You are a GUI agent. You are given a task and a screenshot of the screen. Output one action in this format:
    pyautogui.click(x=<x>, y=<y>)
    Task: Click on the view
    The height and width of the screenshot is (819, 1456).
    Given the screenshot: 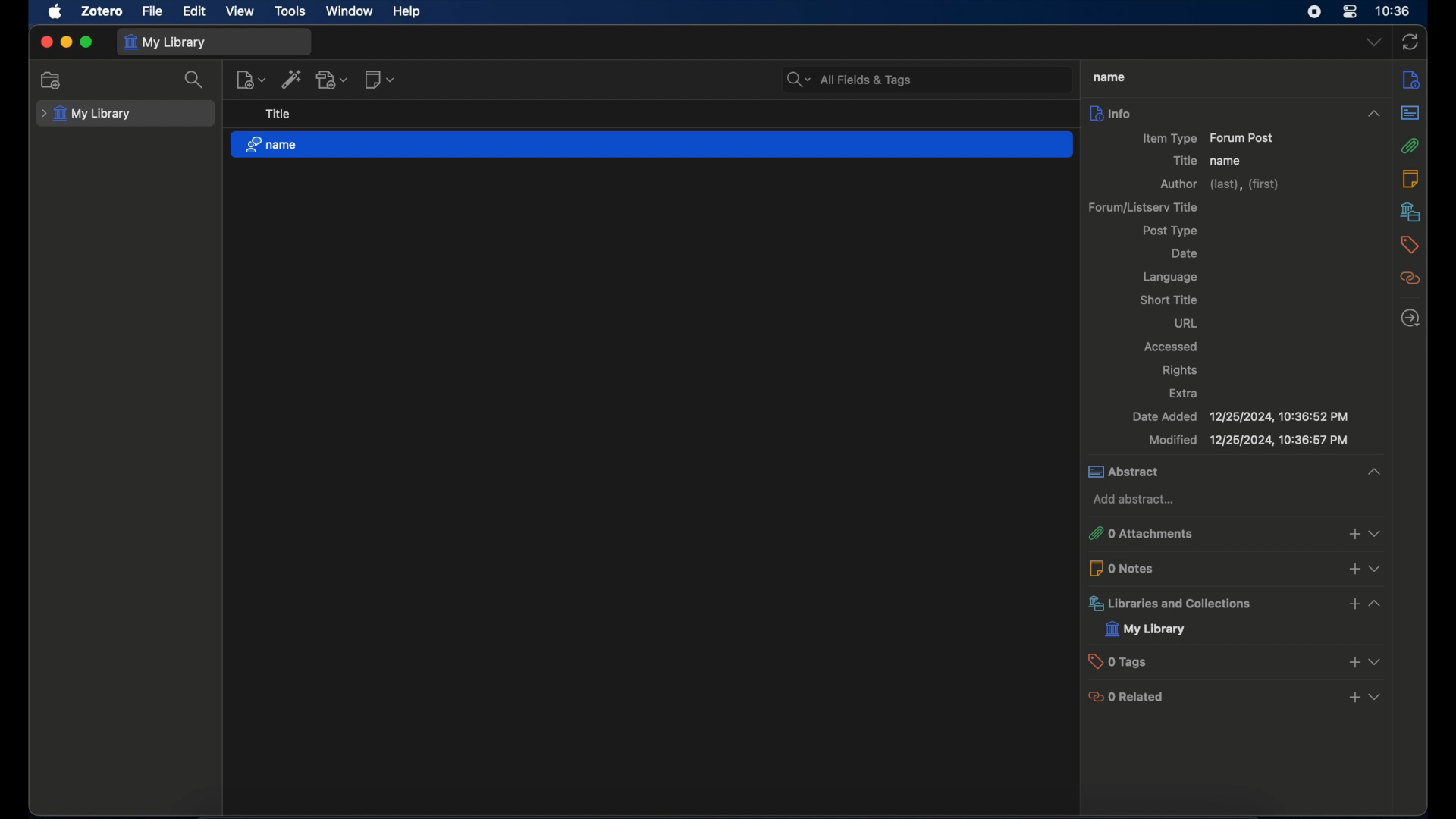 What is the action you would take?
    pyautogui.click(x=241, y=11)
    